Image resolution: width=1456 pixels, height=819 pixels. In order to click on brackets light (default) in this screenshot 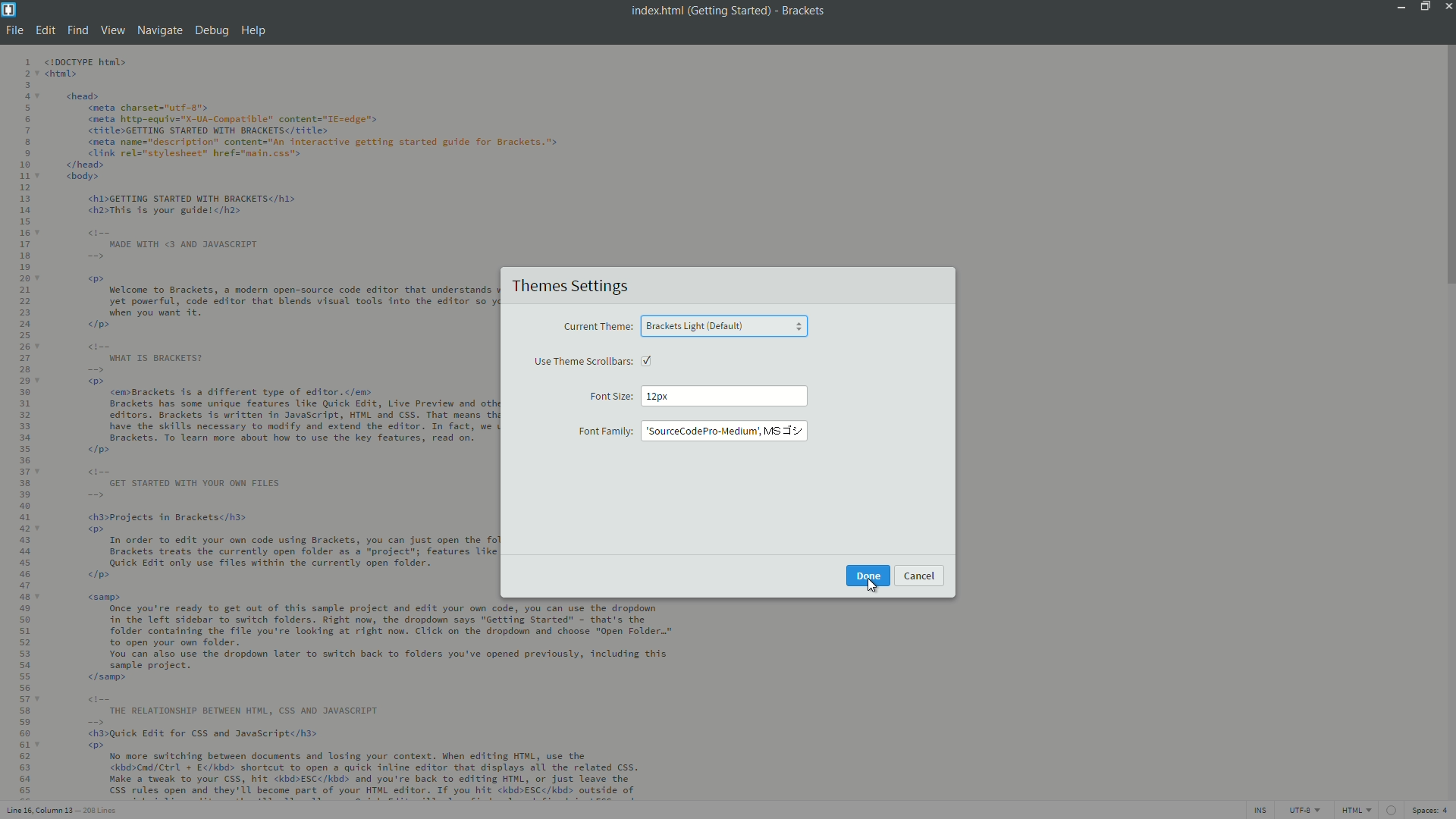, I will do `click(695, 326)`.